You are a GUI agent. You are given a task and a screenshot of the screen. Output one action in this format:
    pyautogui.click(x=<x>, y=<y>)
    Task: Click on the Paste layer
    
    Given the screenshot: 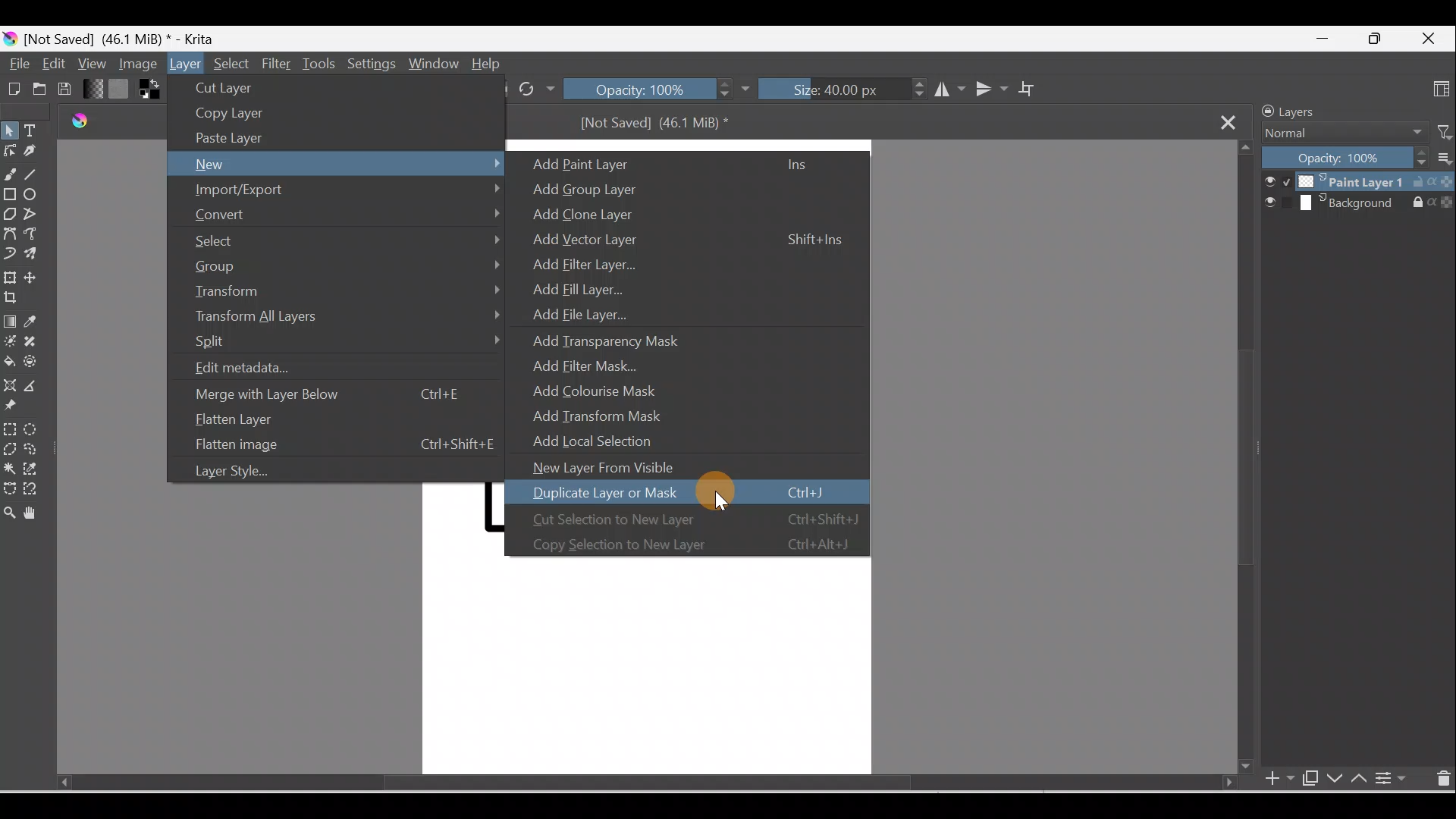 What is the action you would take?
    pyautogui.click(x=234, y=137)
    